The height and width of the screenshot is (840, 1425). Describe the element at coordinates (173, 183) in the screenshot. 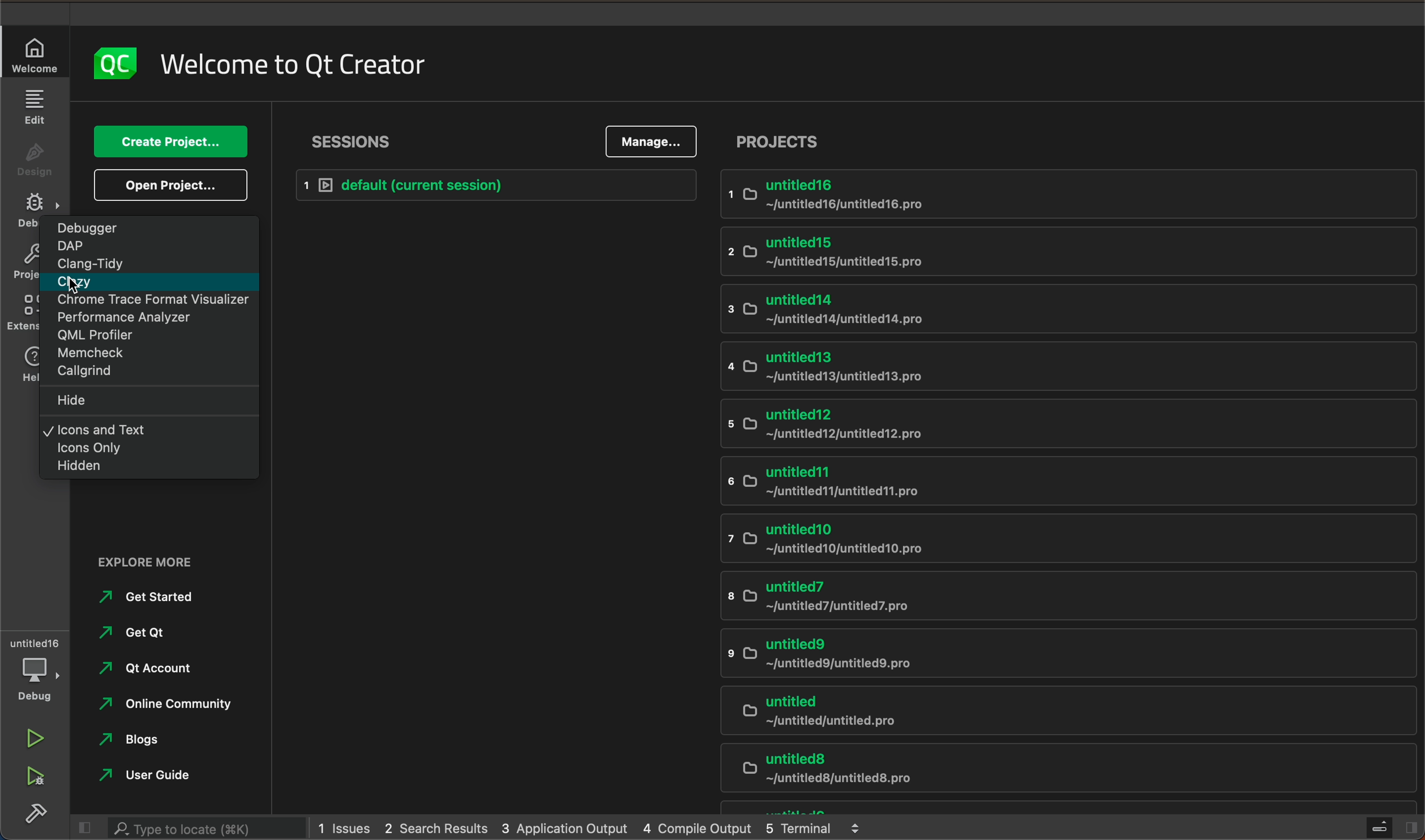

I see `open project` at that location.